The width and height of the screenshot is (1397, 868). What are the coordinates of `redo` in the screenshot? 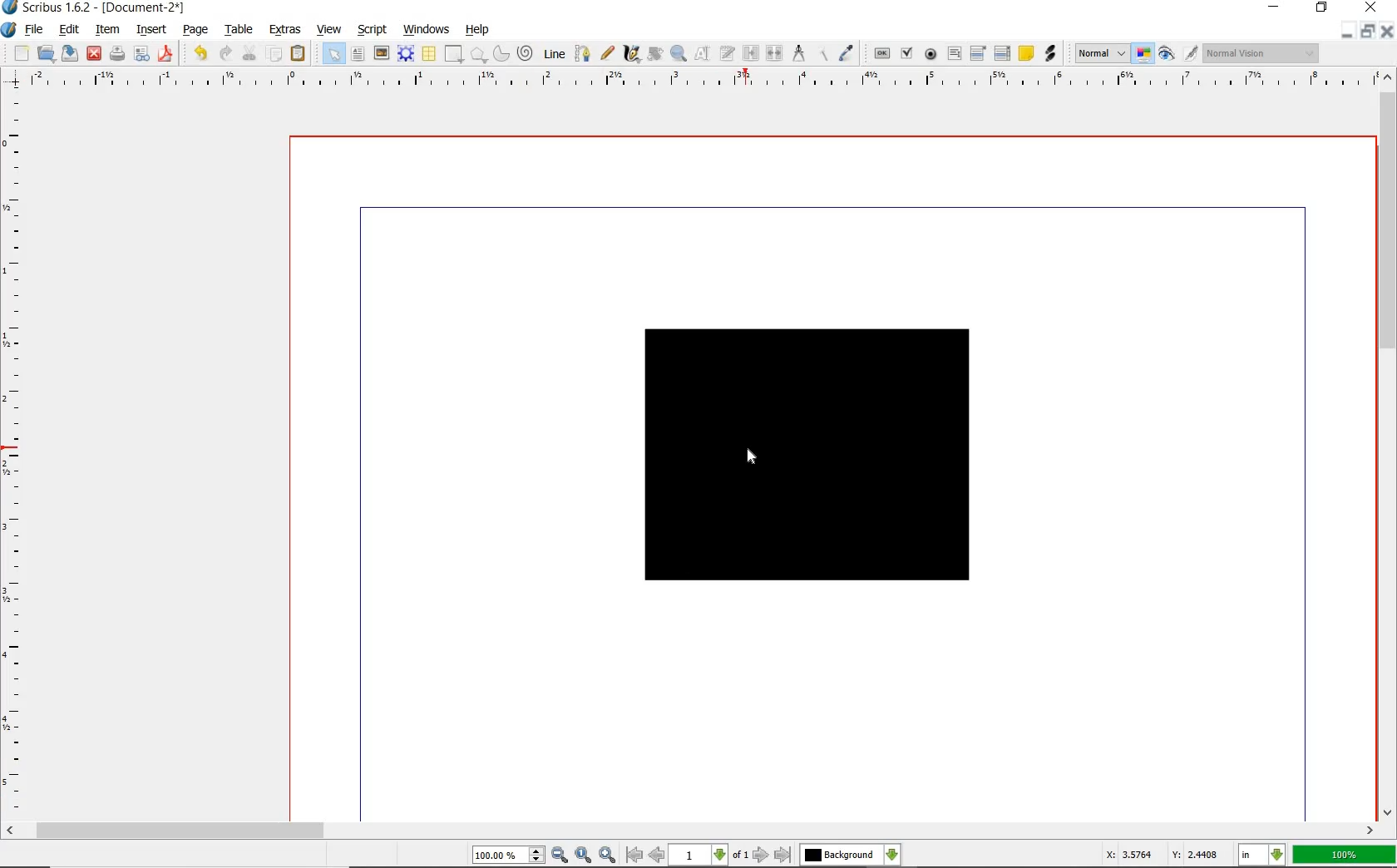 It's located at (225, 54).